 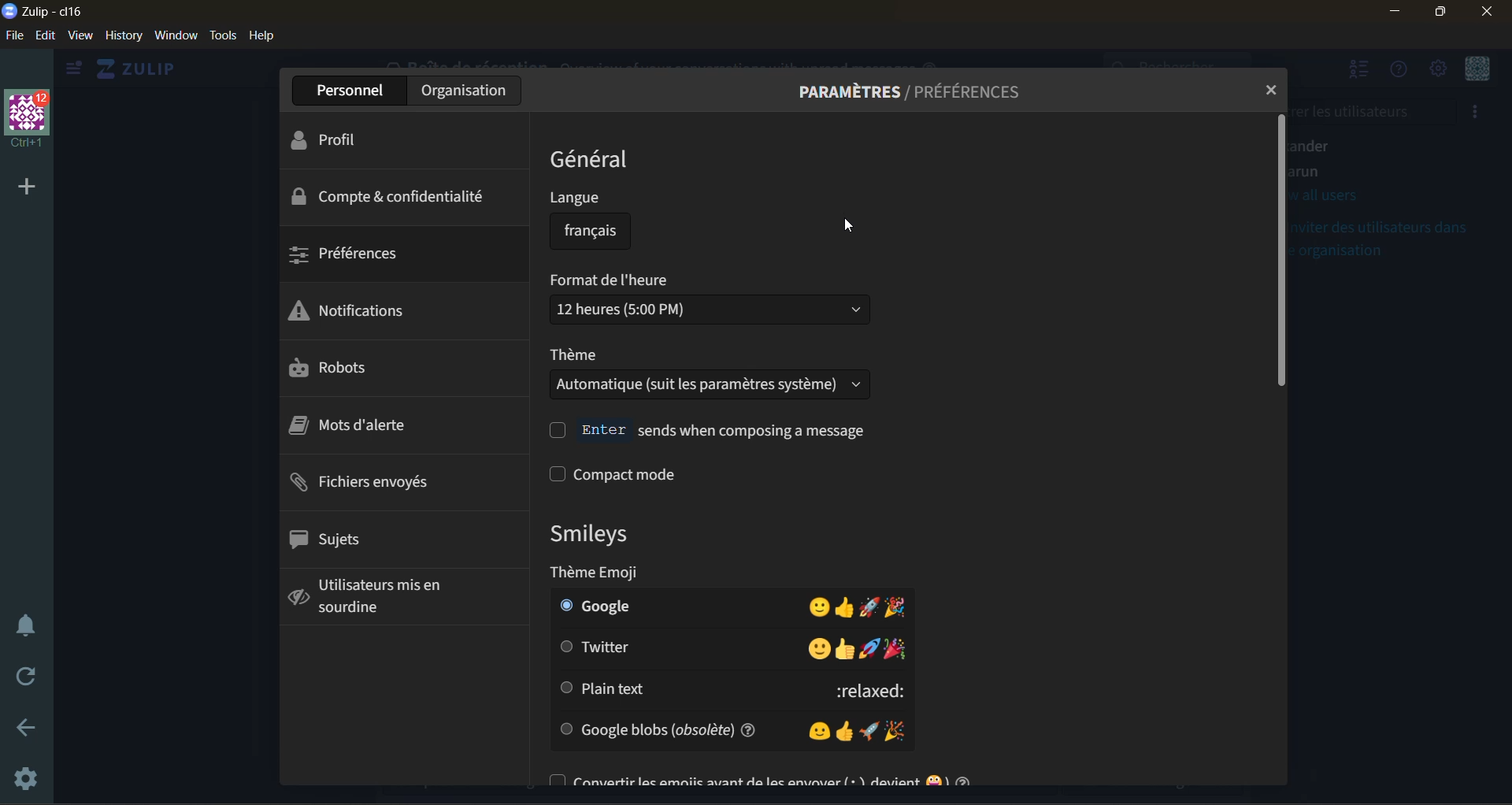 What do you see at coordinates (28, 117) in the screenshot?
I see `organisation name and profile picture` at bounding box center [28, 117].